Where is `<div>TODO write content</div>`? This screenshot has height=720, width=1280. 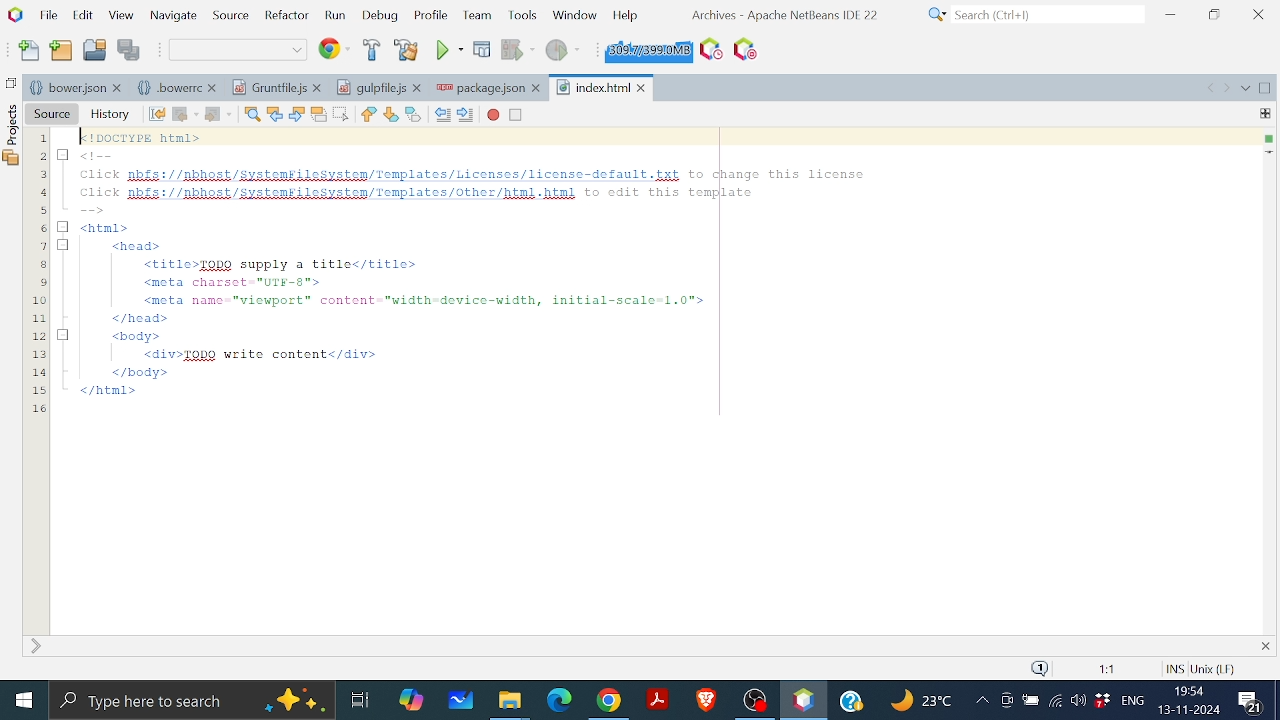 <div>TODO write content</div> is located at coordinates (263, 353).